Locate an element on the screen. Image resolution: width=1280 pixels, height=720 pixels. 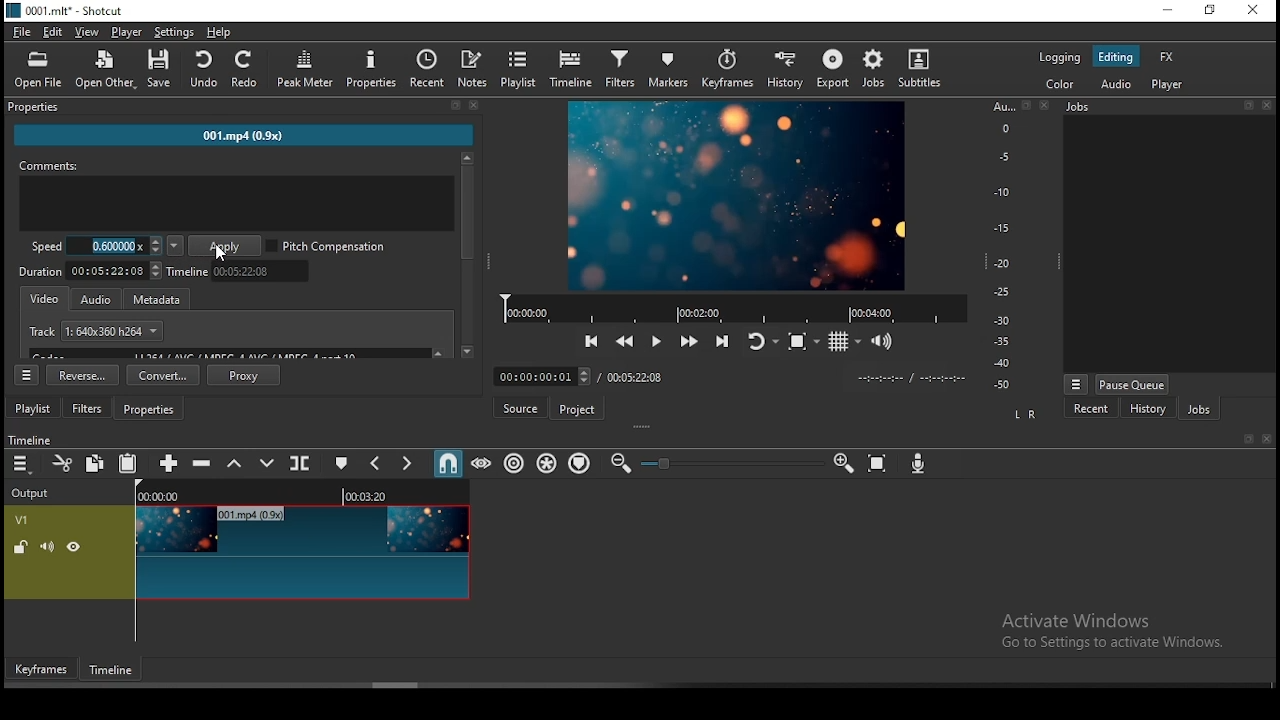
lift is located at coordinates (234, 464).